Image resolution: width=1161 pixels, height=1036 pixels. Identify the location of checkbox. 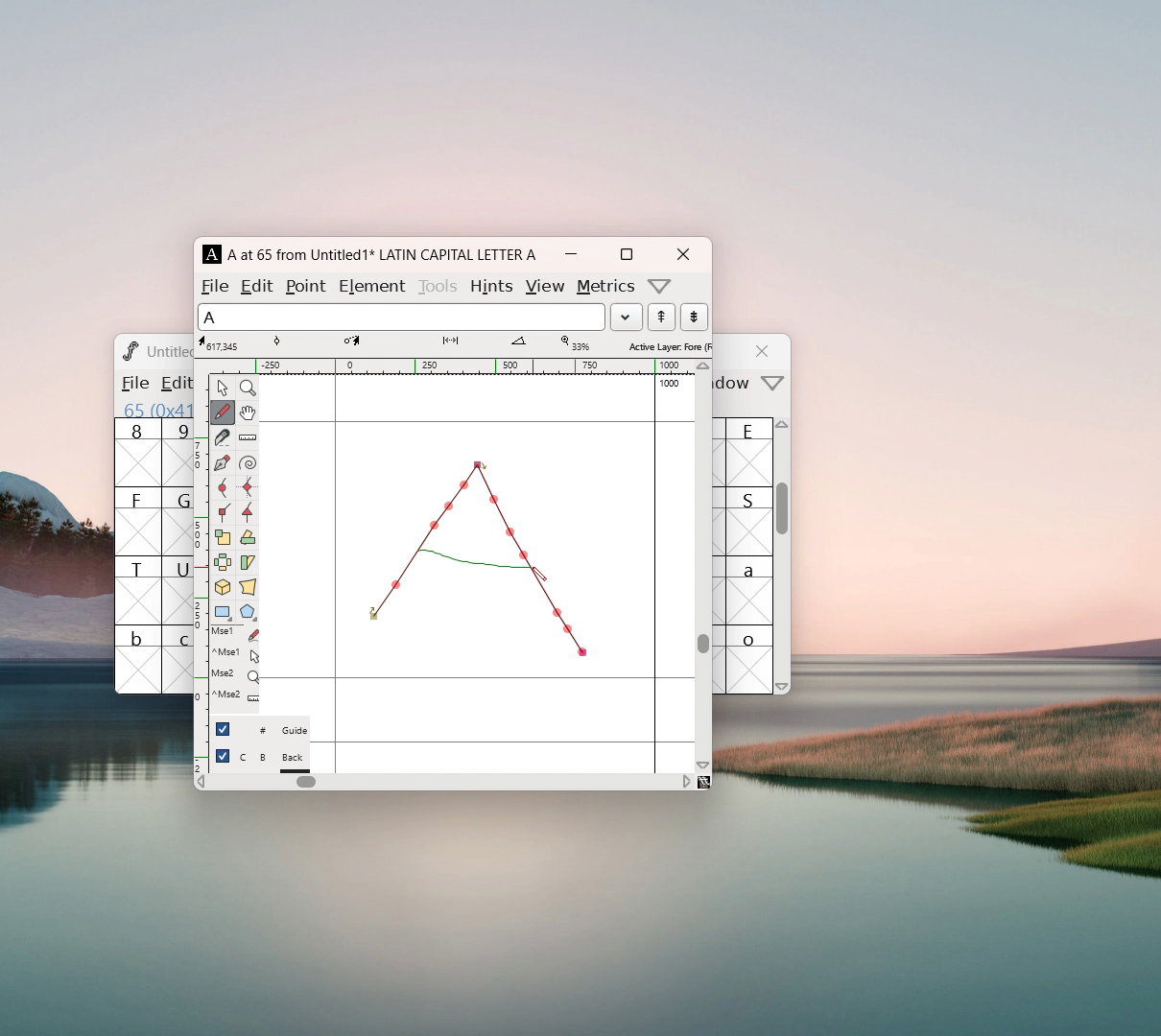
(223, 728).